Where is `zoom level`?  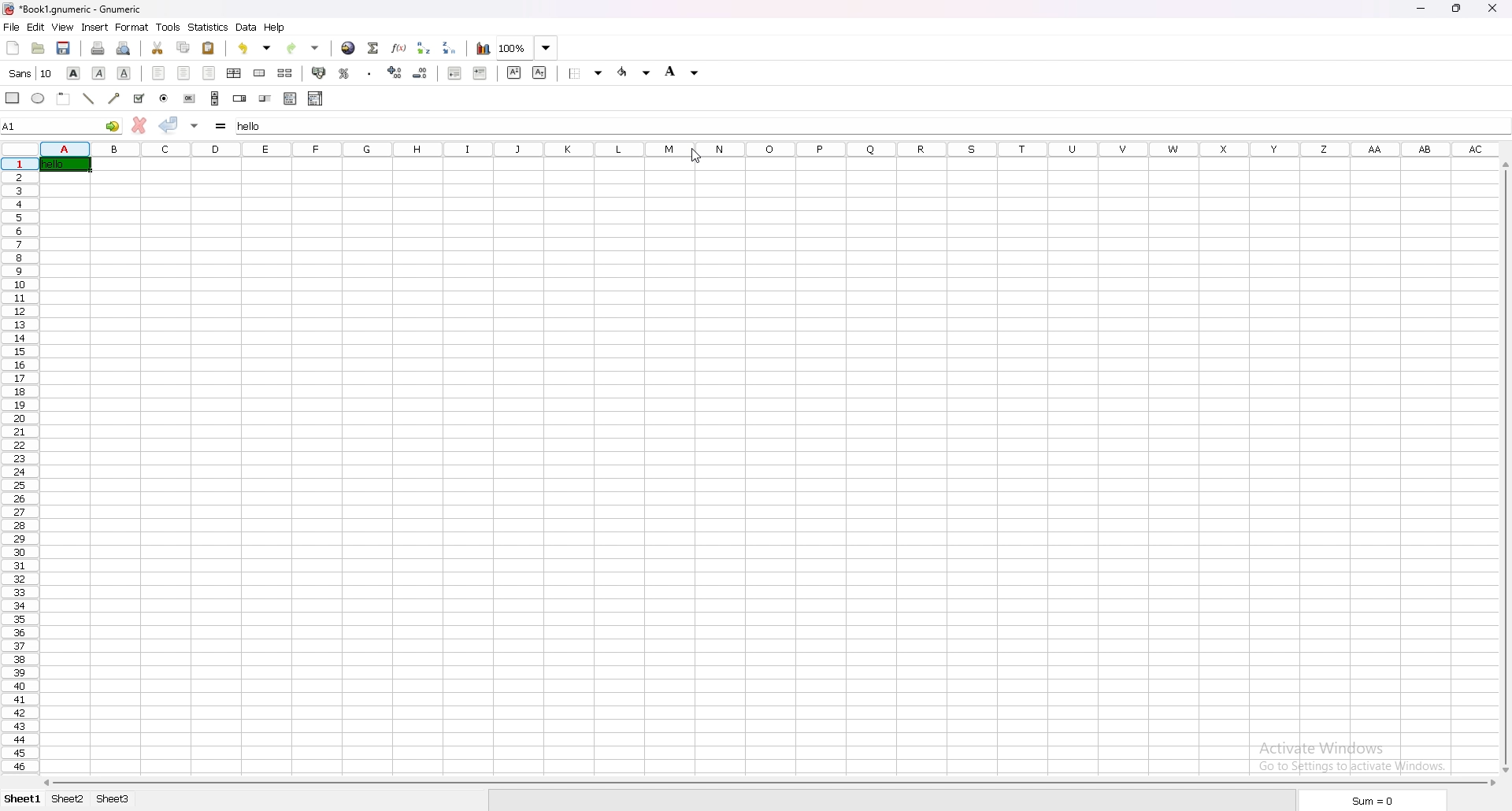 zoom level is located at coordinates (529, 47).